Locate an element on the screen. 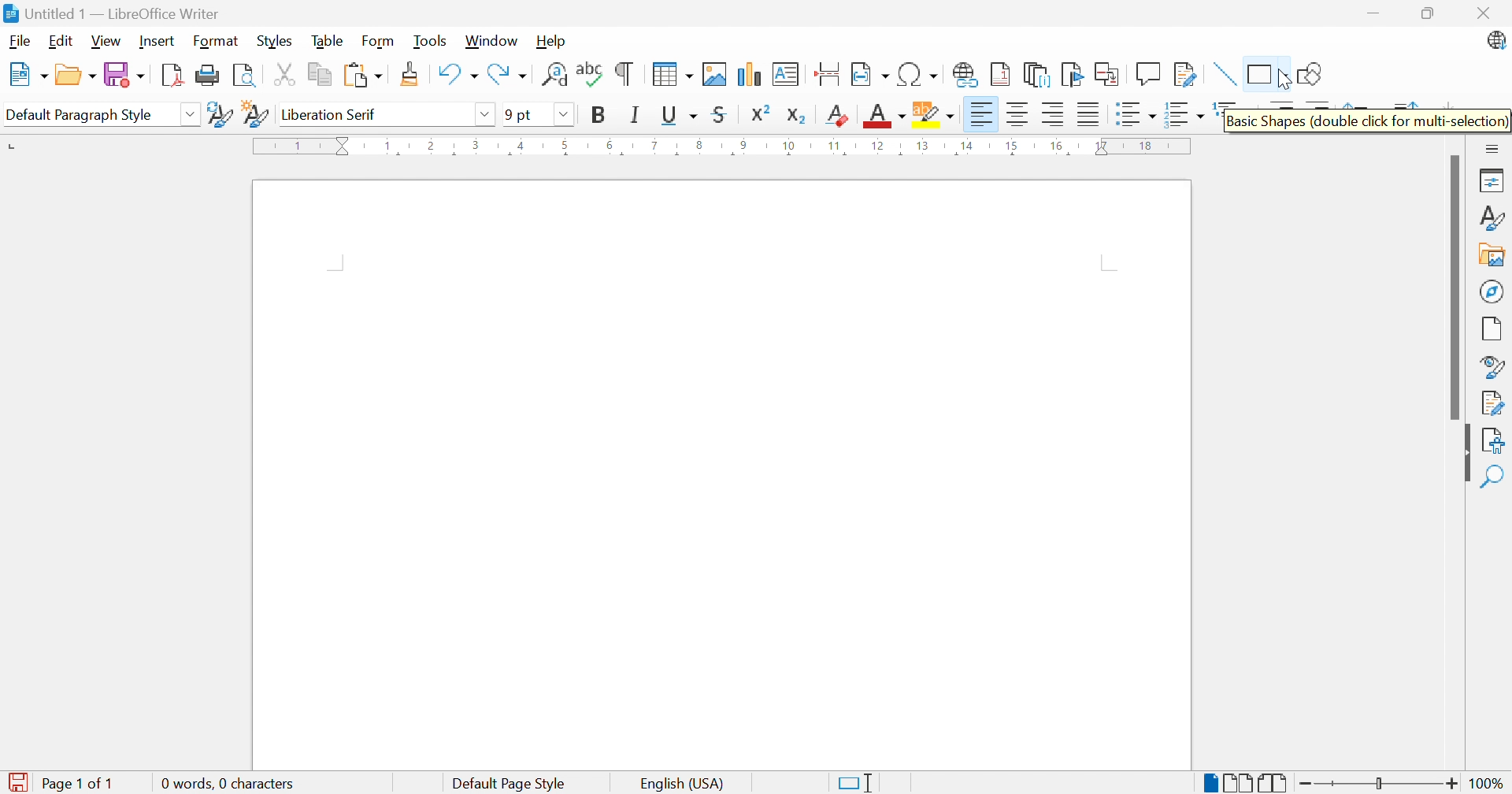 The height and width of the screenshot is (794, 1512). Standard selection. Click to change selection mode. is located at coordinates (855, 783).